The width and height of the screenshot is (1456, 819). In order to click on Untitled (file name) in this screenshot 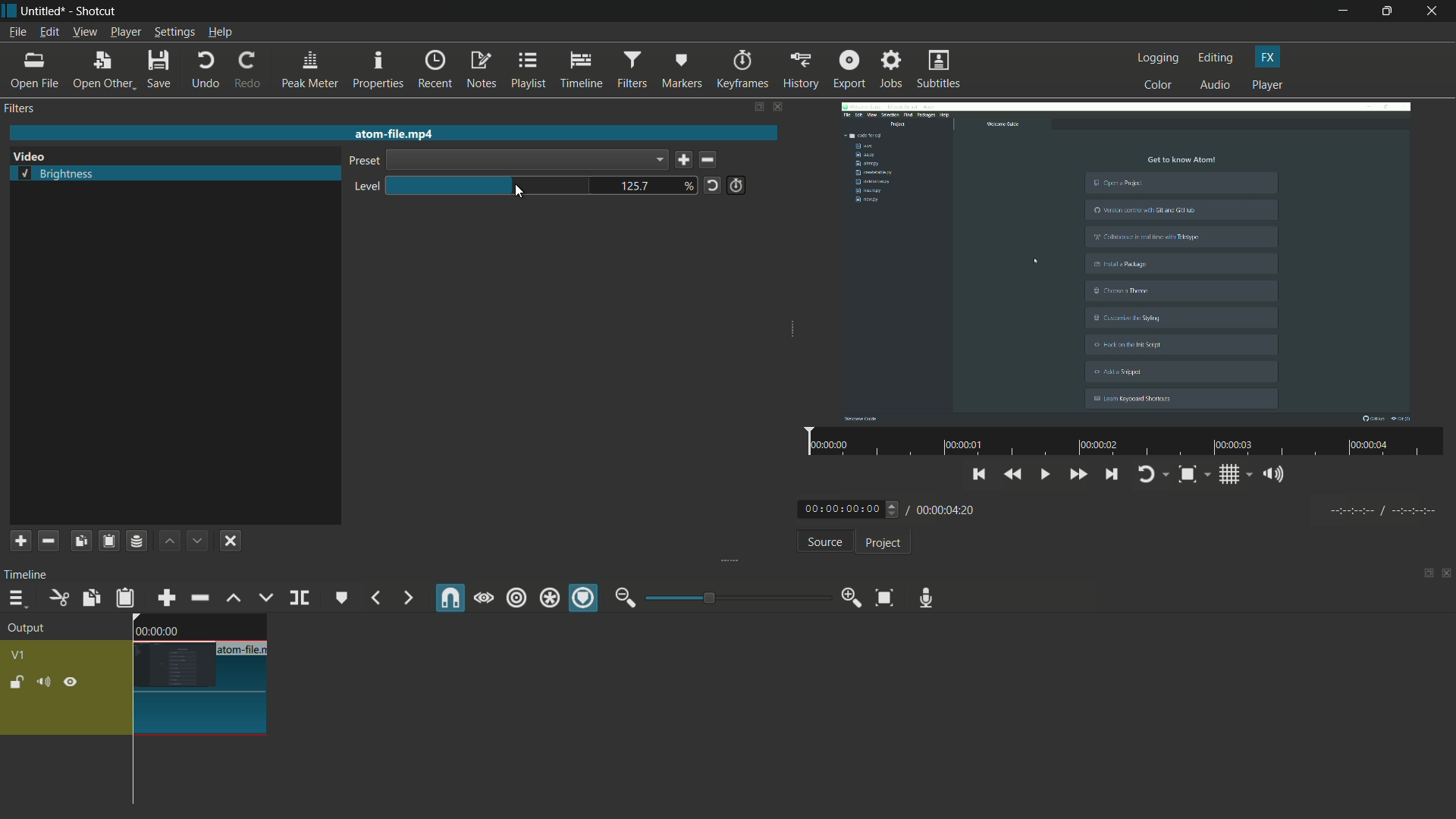, I will do `click(46, 11)`.